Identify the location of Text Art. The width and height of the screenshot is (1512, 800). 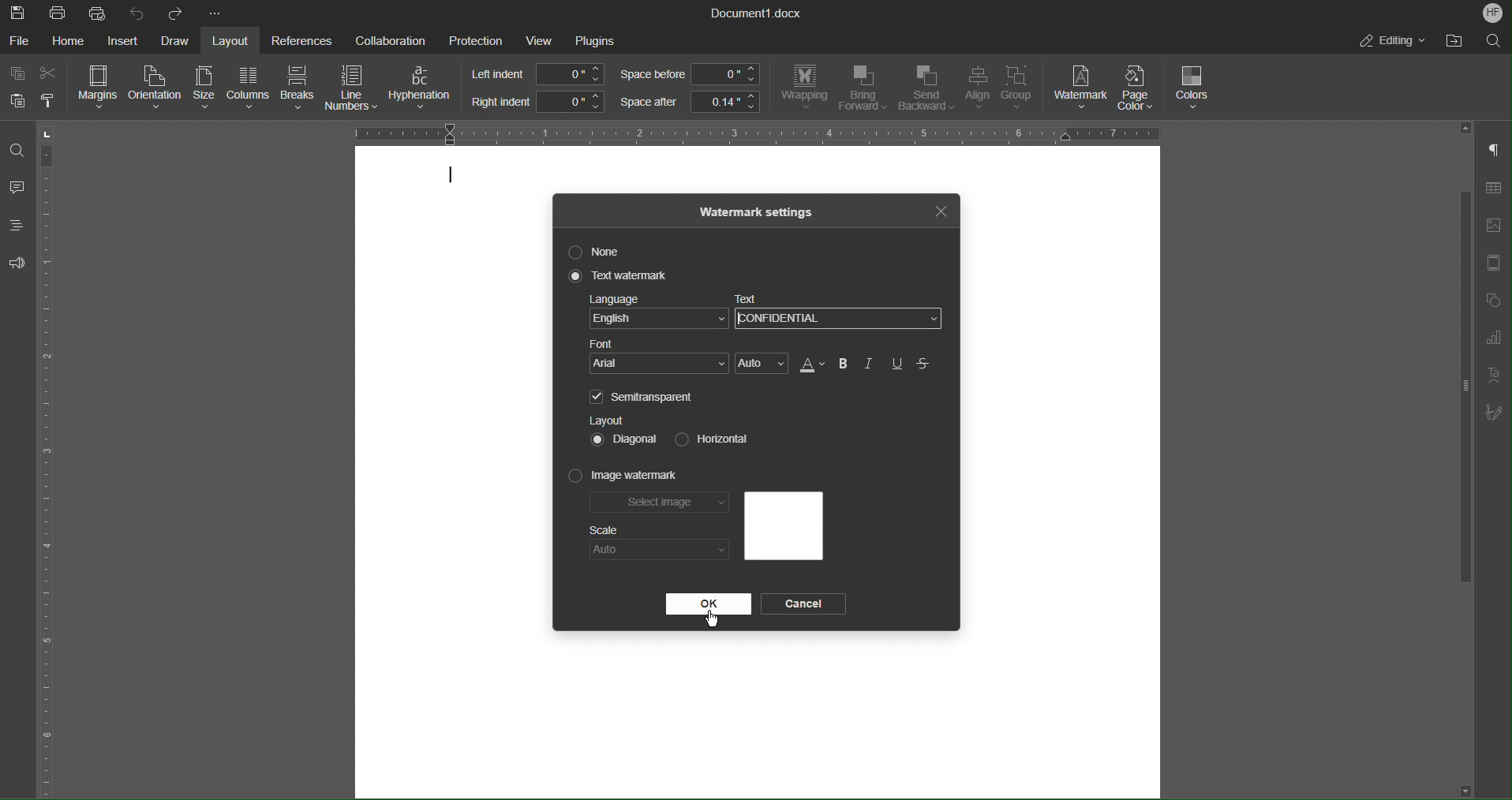
(1491, 376).